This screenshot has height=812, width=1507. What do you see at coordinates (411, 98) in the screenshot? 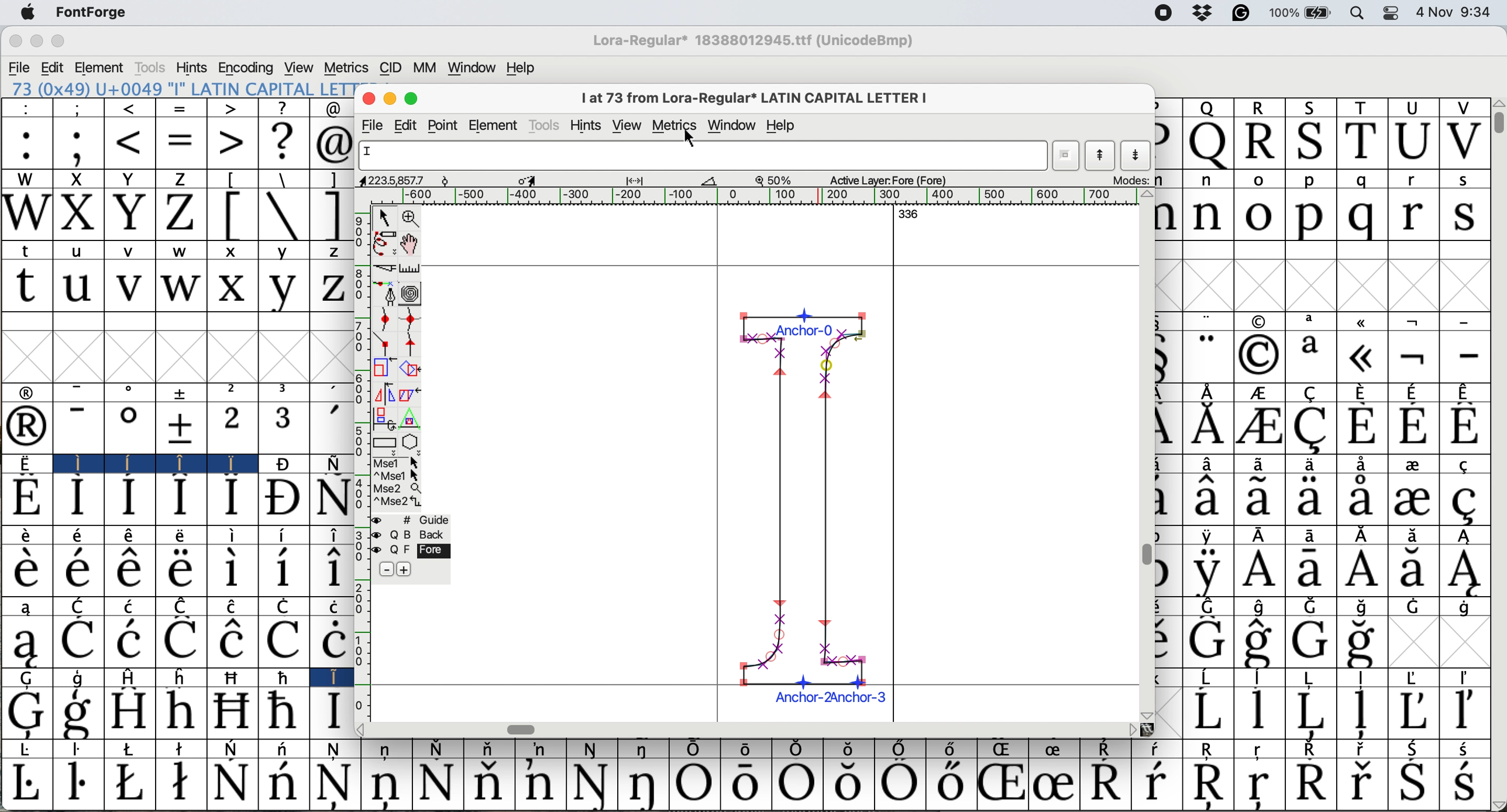
I see `maximise` at bounding box center [411, 98].